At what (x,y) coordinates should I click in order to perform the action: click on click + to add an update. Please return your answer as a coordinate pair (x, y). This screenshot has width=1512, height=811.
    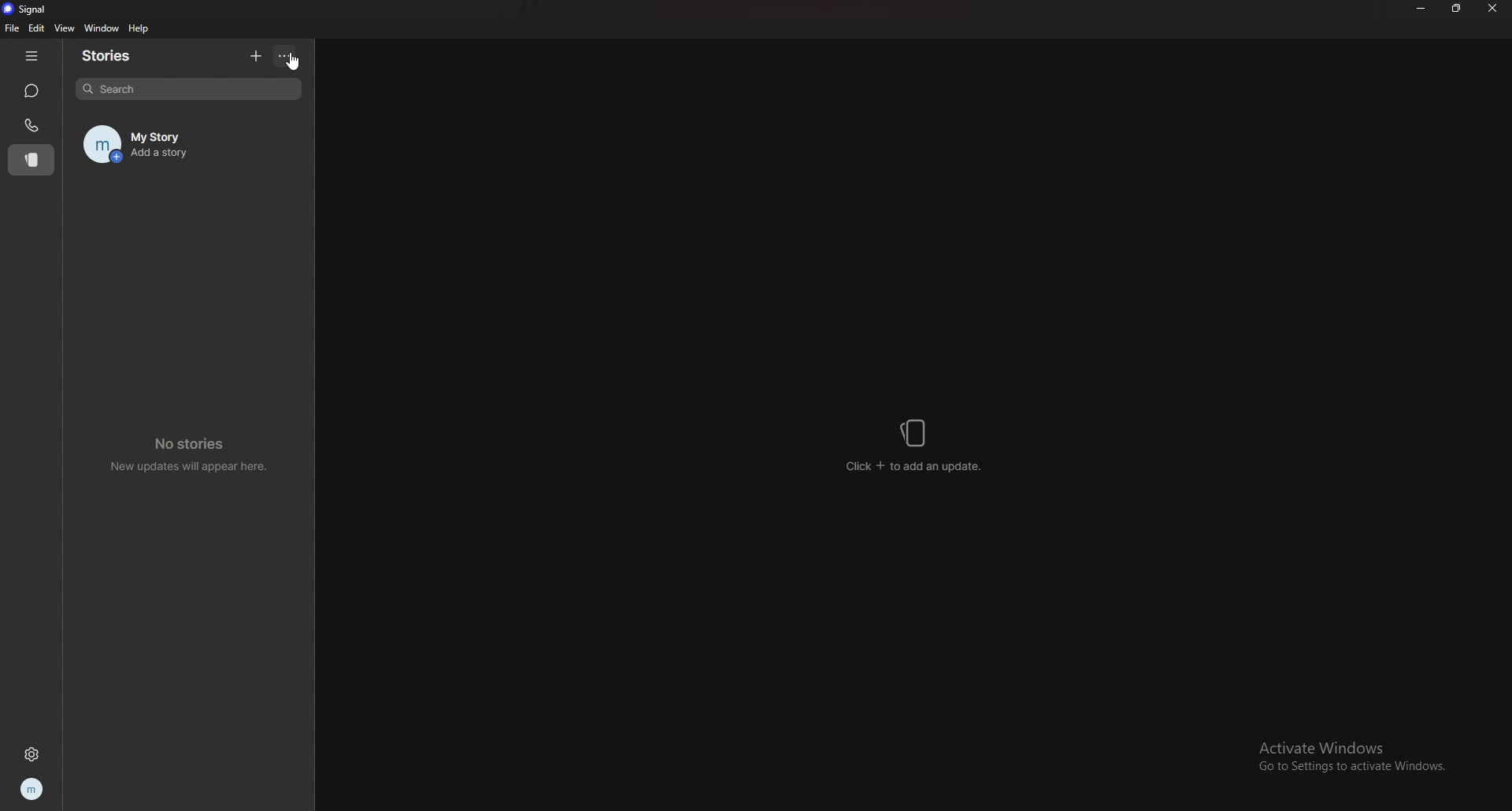
    Looking at the image, I should click on (914, 468).